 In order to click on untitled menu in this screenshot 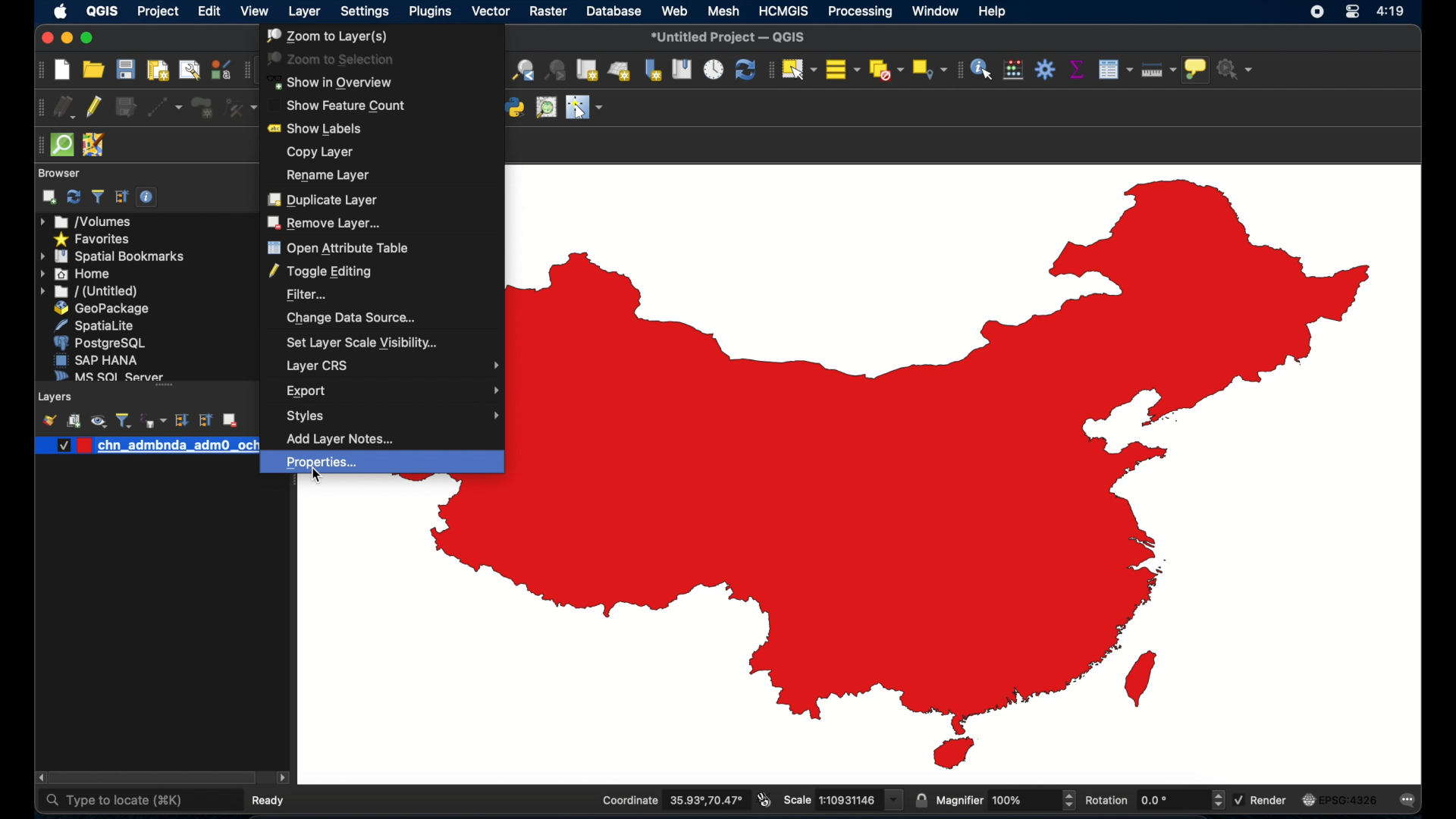, I will do `click(87, 291)`.